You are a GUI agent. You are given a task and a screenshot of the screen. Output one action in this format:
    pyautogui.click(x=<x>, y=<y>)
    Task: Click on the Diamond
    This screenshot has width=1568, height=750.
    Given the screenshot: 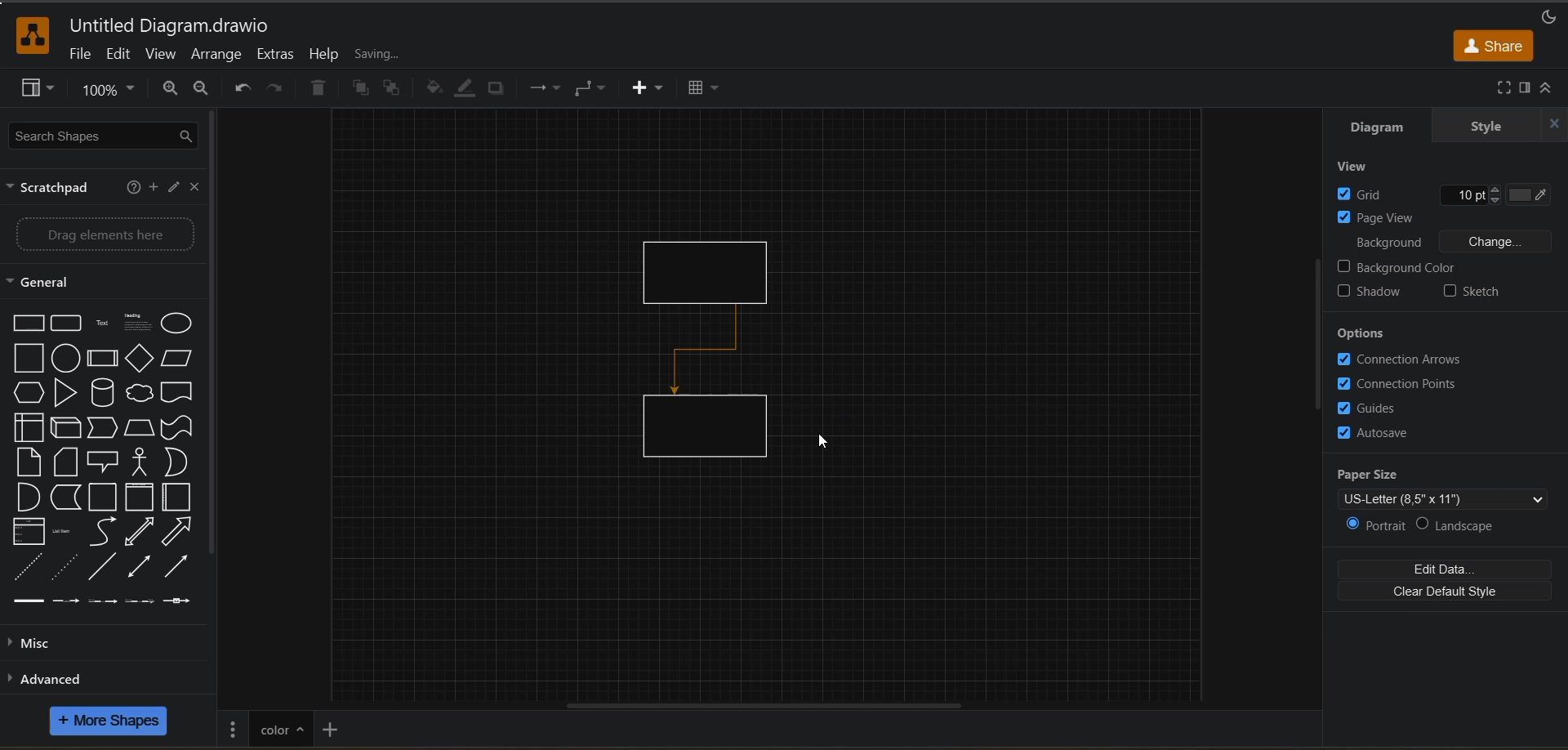 What is the action you would take?
    pyautogui.click(x=140, y=359)
    